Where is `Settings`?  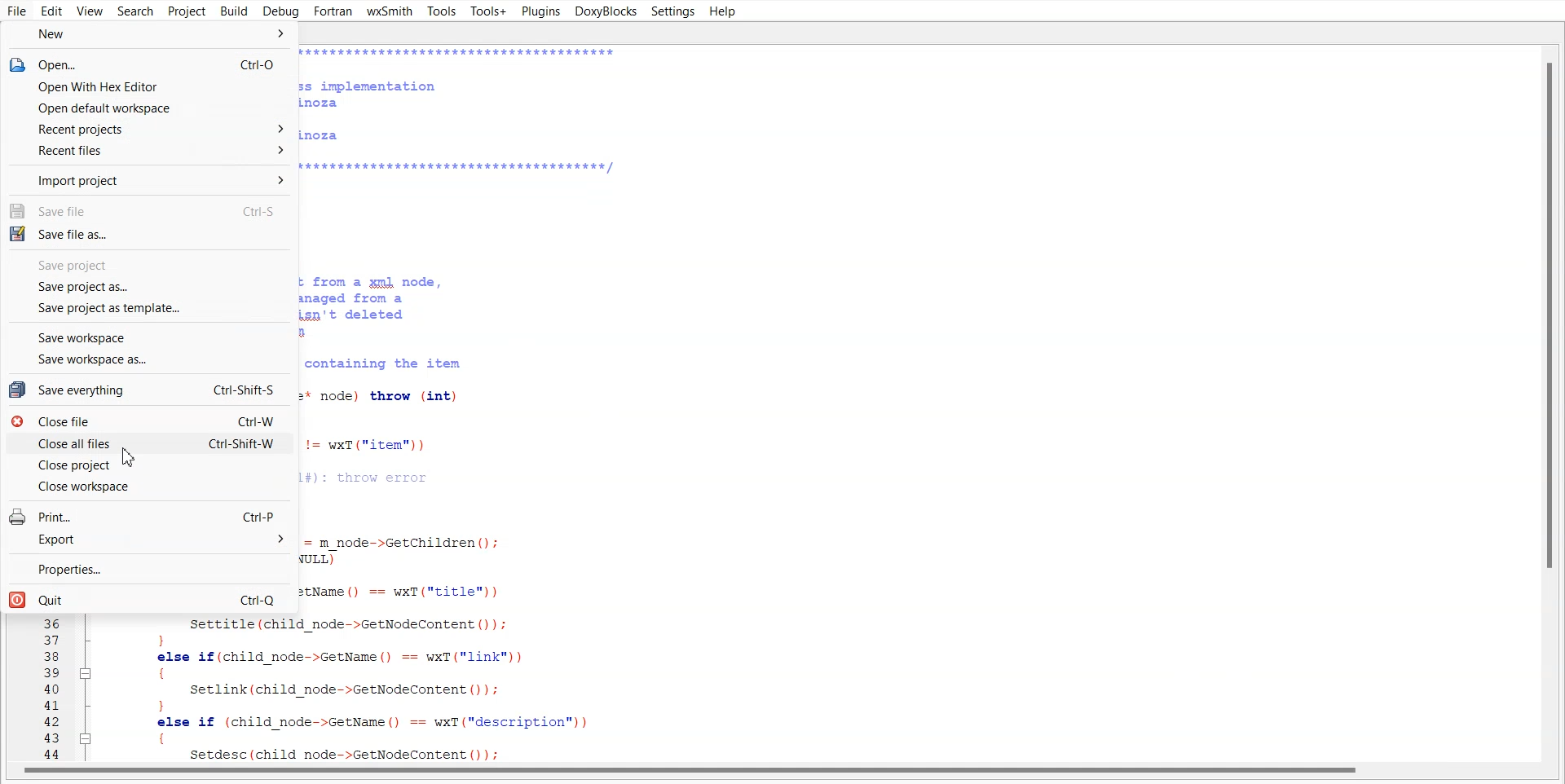
Settings is located at coordinates (672, 11).